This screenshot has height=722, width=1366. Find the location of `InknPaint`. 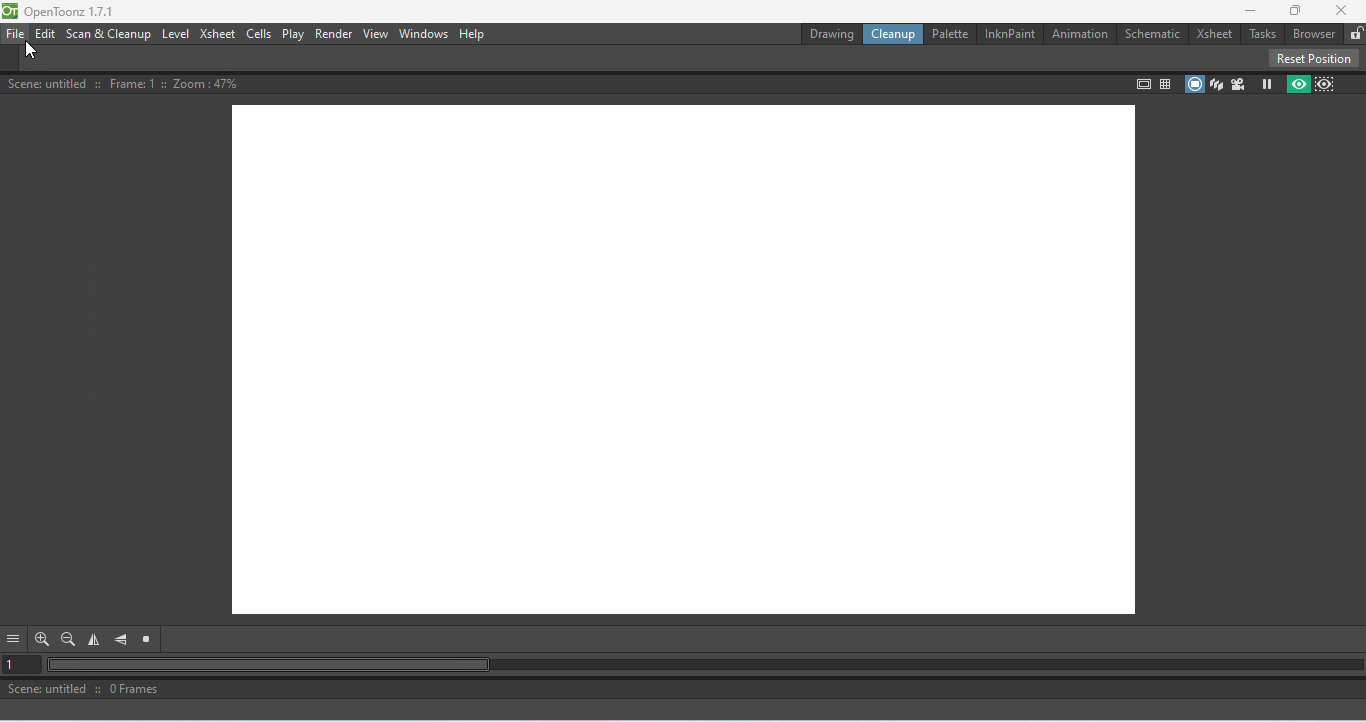

InknPaint is located at coordinates (1008, 34).